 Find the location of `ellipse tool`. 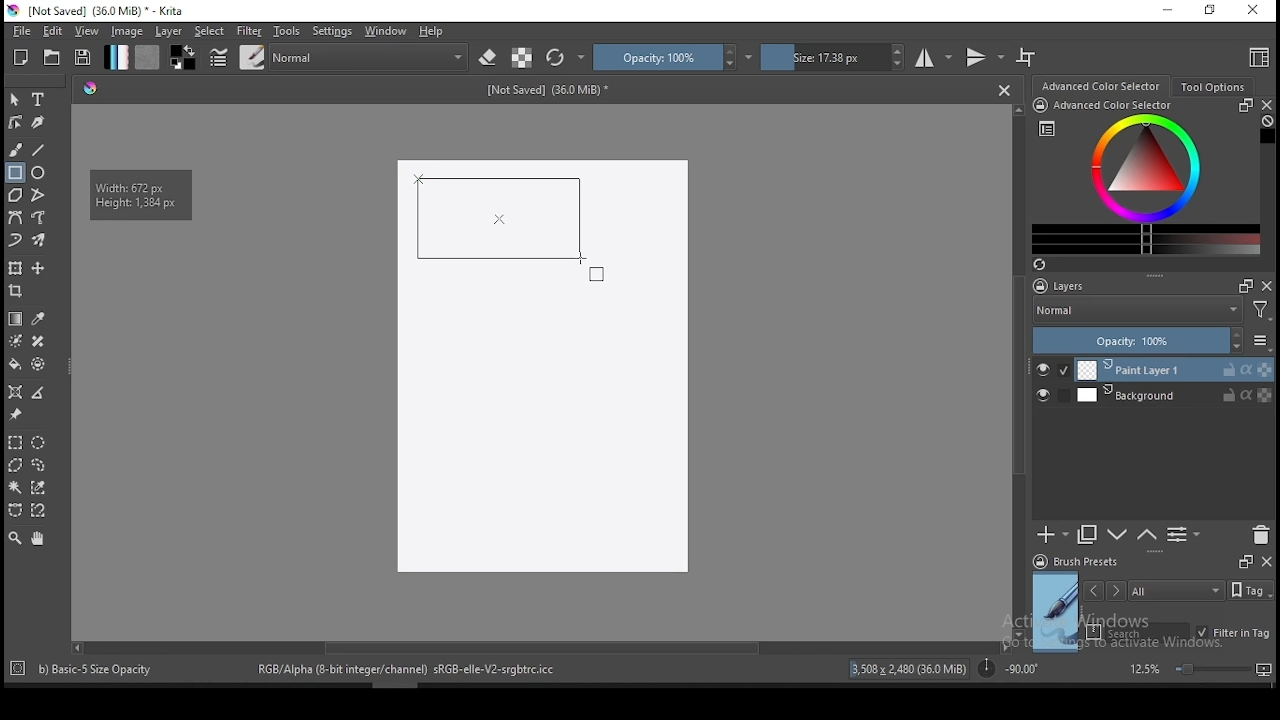

ellipse tool is located at coordinates (39, 171).